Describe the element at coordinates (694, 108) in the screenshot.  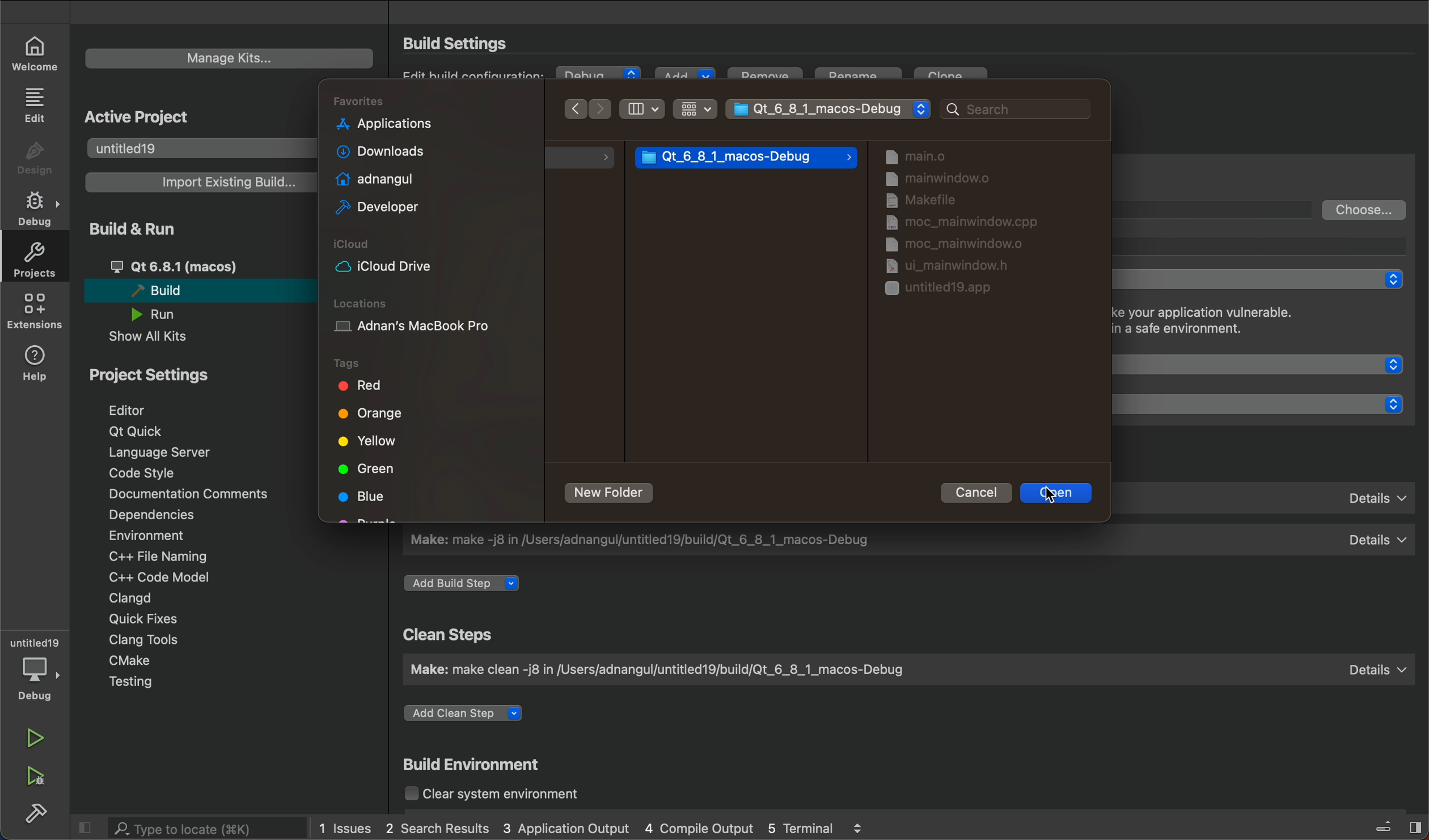
I see `` at that location.